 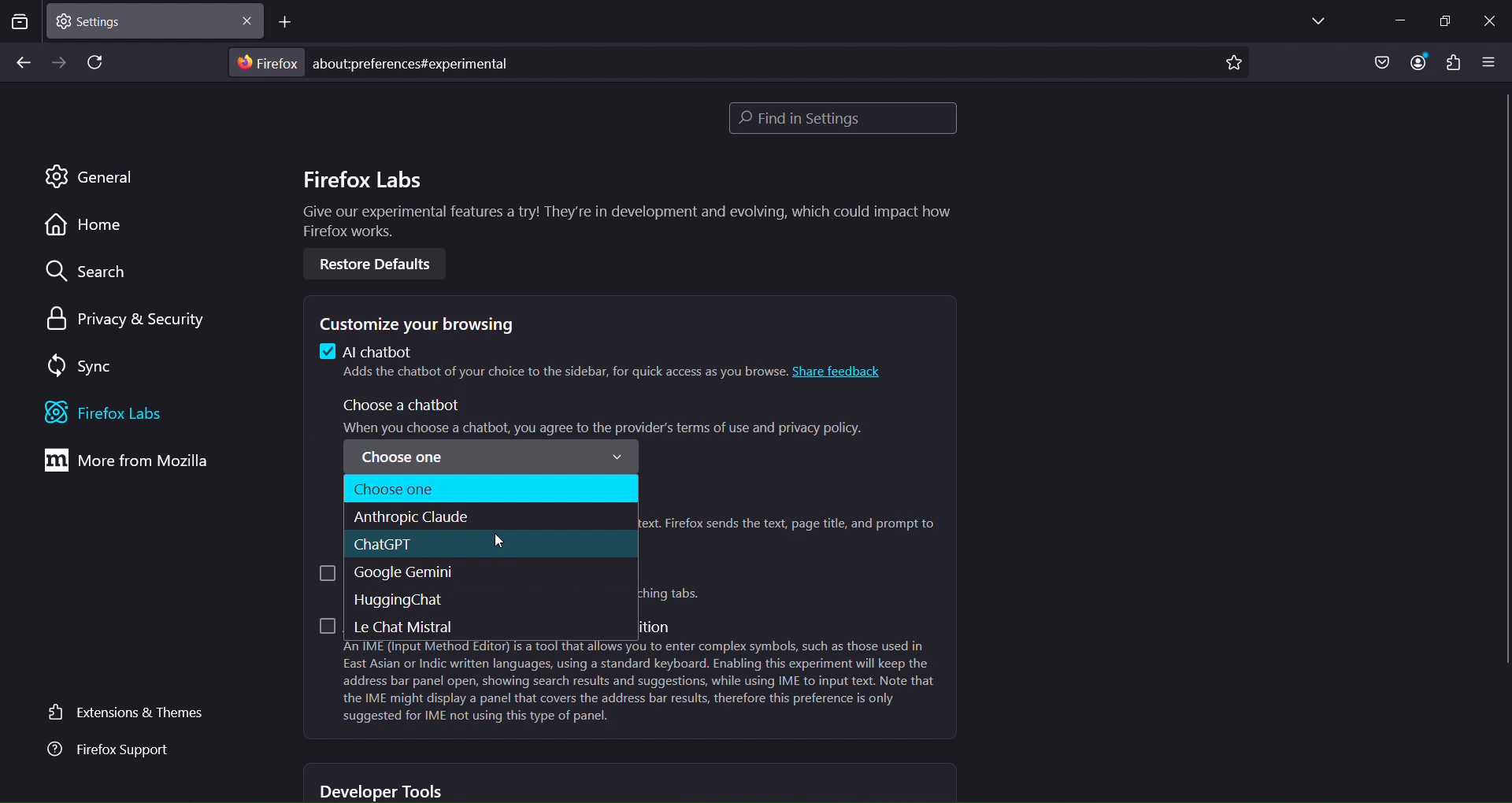 What do you see at coordinates (638, 200) in the screenshot?
I see `Firefox Labs
Give our experimental features a try! They're in development and evolving, which could impact how
Firefox works.` at bounding box center [638, 200].